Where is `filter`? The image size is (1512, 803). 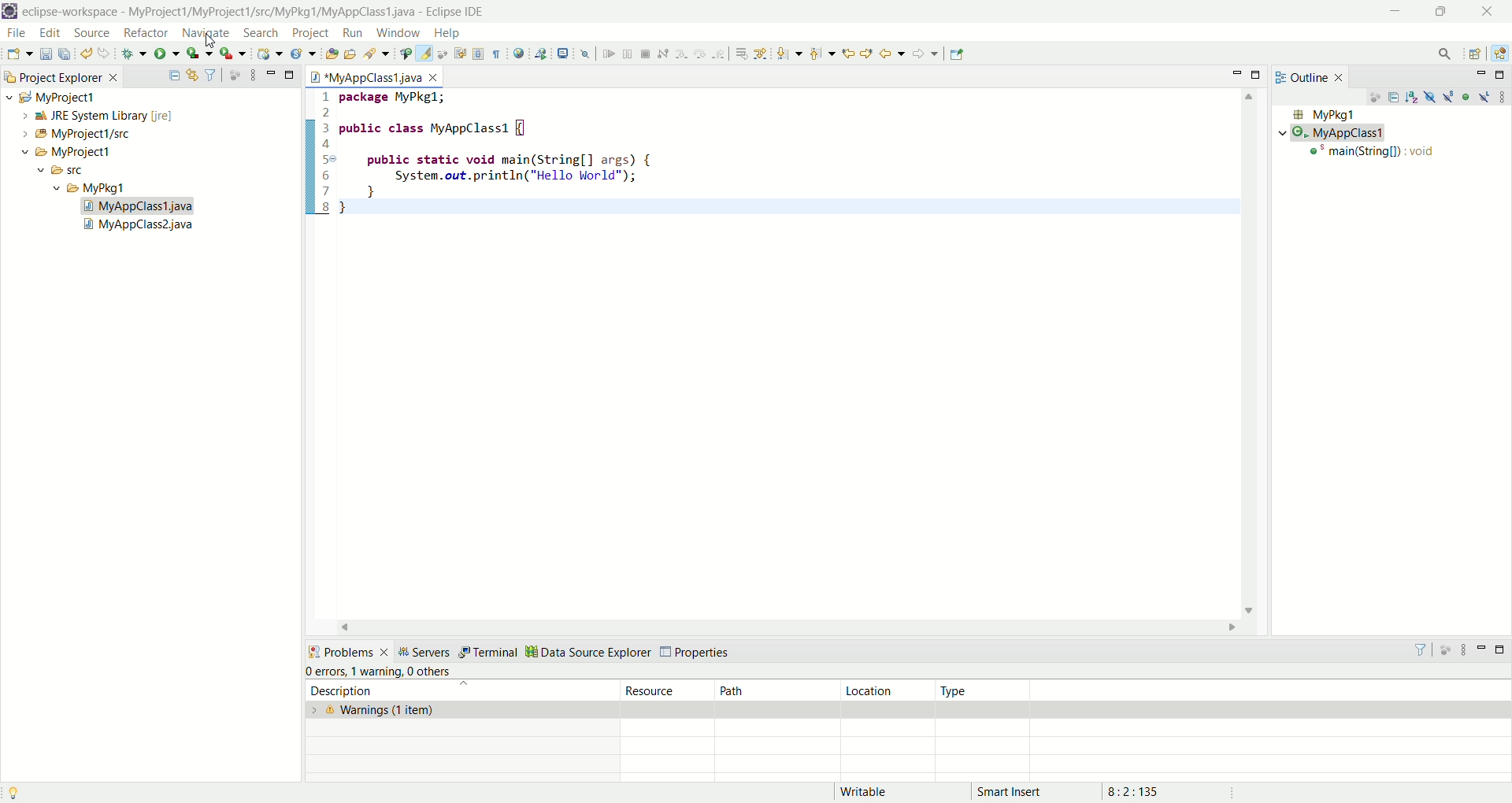 filter is located at coordinates (1424, 649).